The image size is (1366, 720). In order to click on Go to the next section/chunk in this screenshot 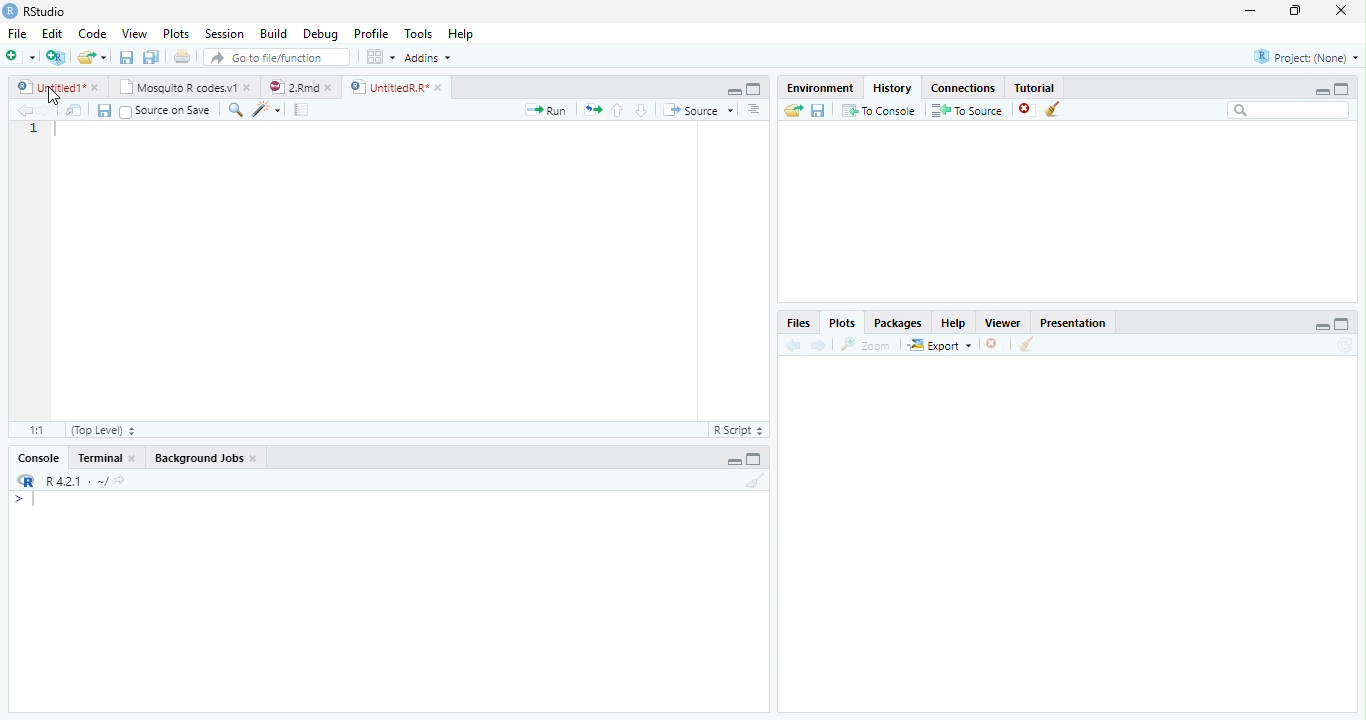, I will do `click(642, 111)`.